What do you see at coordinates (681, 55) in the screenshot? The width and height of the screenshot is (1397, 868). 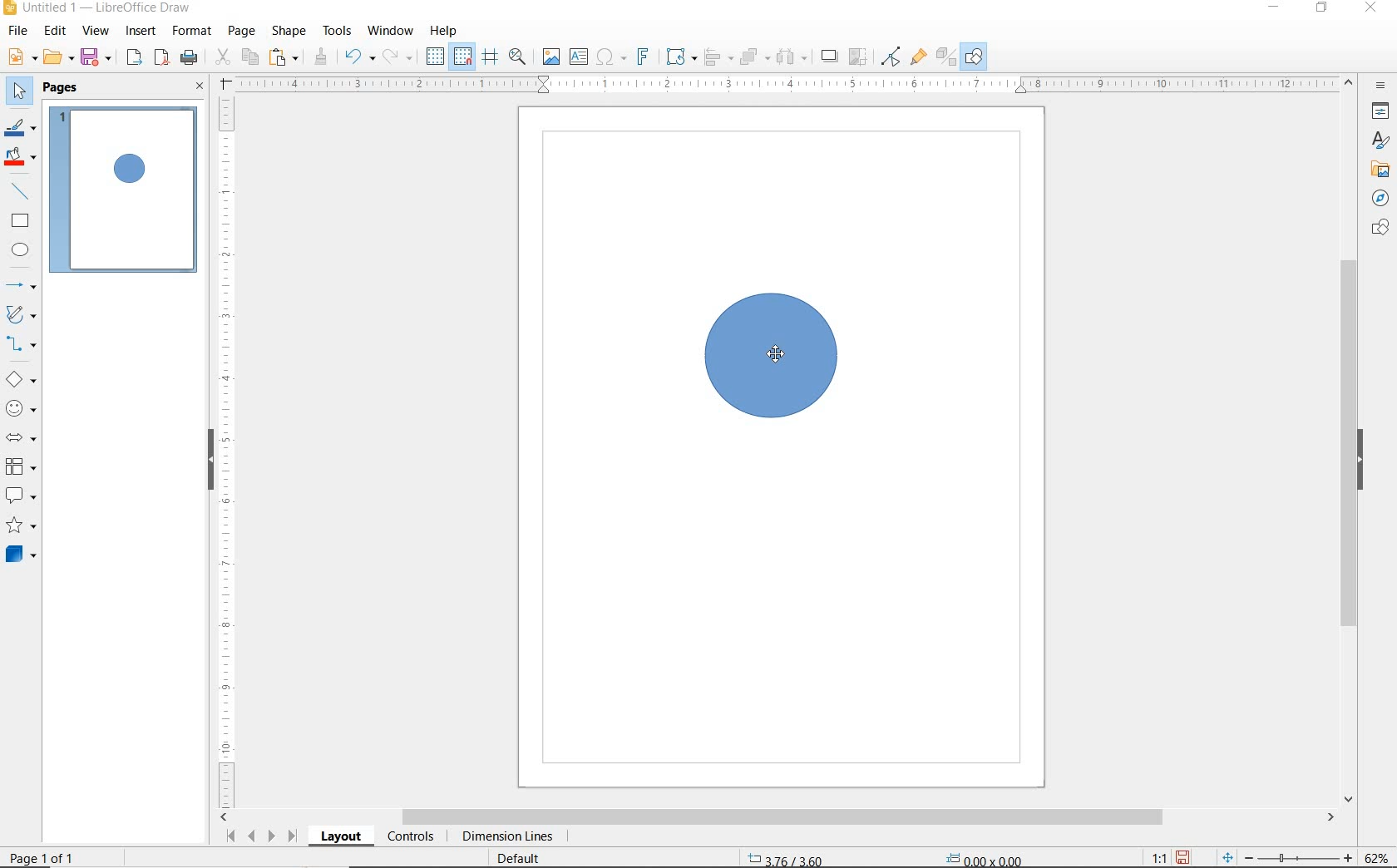 I see `TRANSFORMATIONS` at bounding box center [681, 55].